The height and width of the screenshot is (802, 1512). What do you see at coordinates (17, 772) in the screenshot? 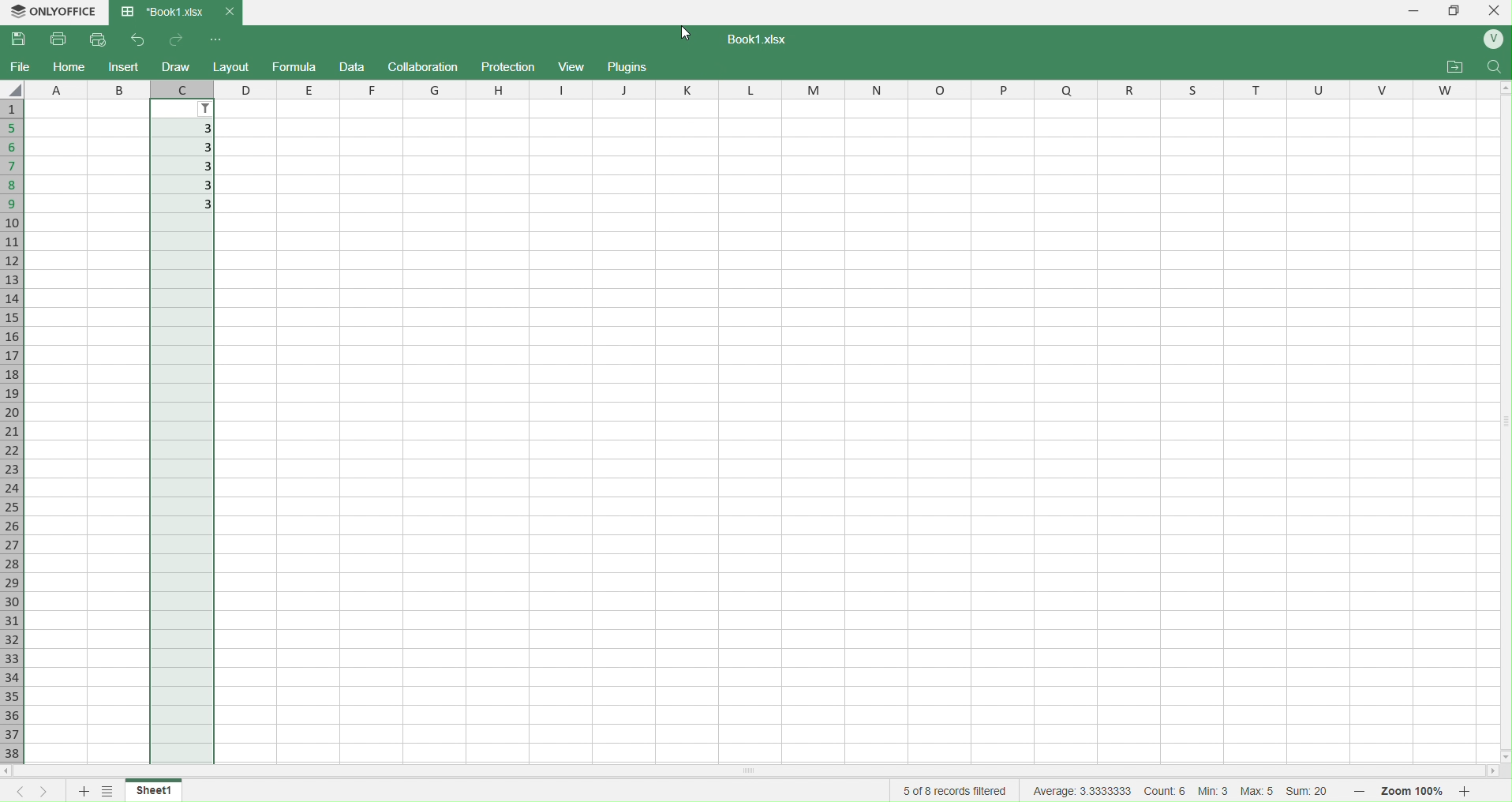
I see `scroll left` at bounding box center [17, 772].